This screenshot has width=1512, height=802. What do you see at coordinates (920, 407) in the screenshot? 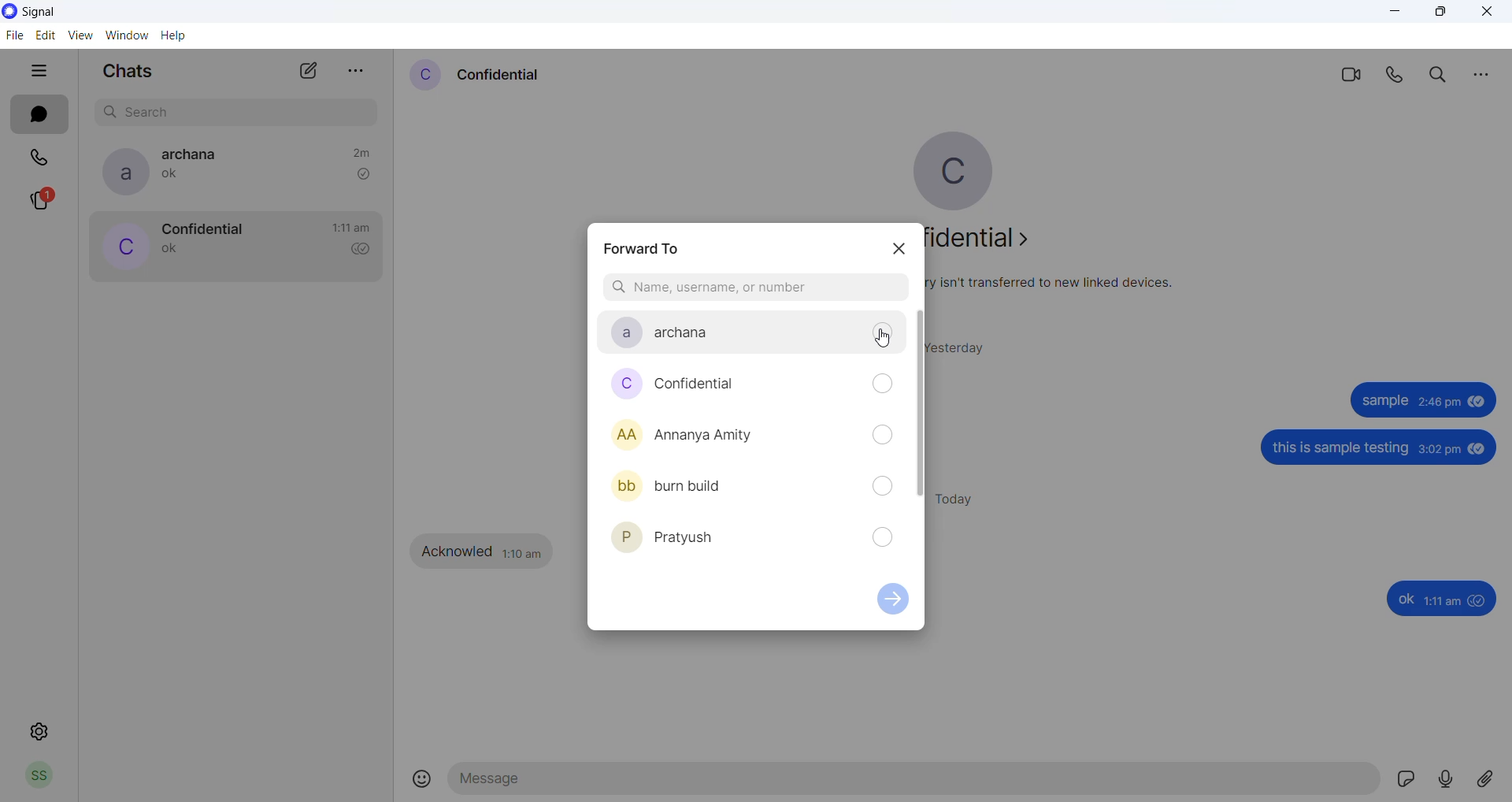
I see `scrollbar` at bounding box center [920, 407].